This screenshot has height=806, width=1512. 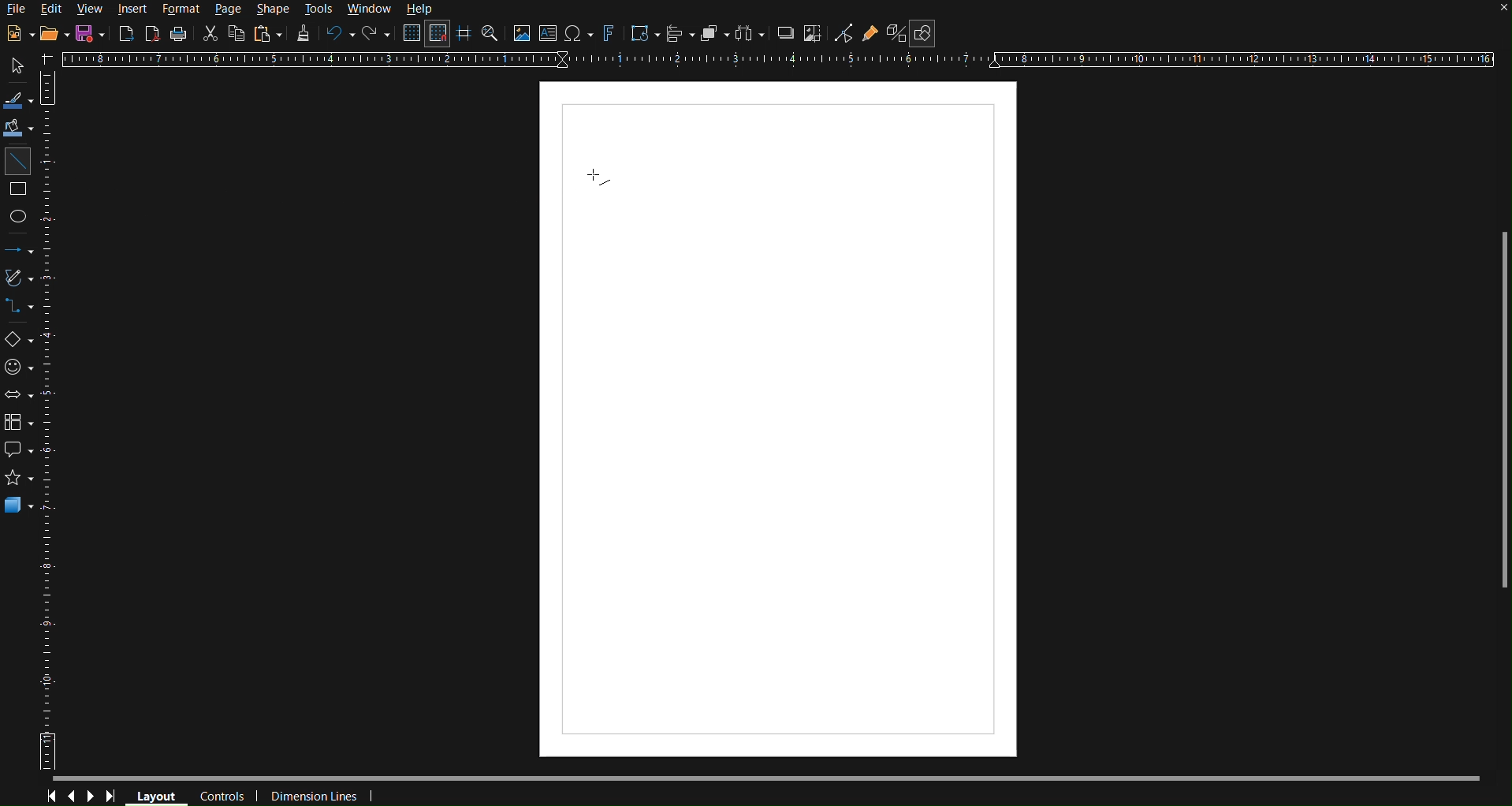 What do you see at coordinates (766, 778) in the screenshot?
I see `Scrollbar` at bounding box center [766, 778].